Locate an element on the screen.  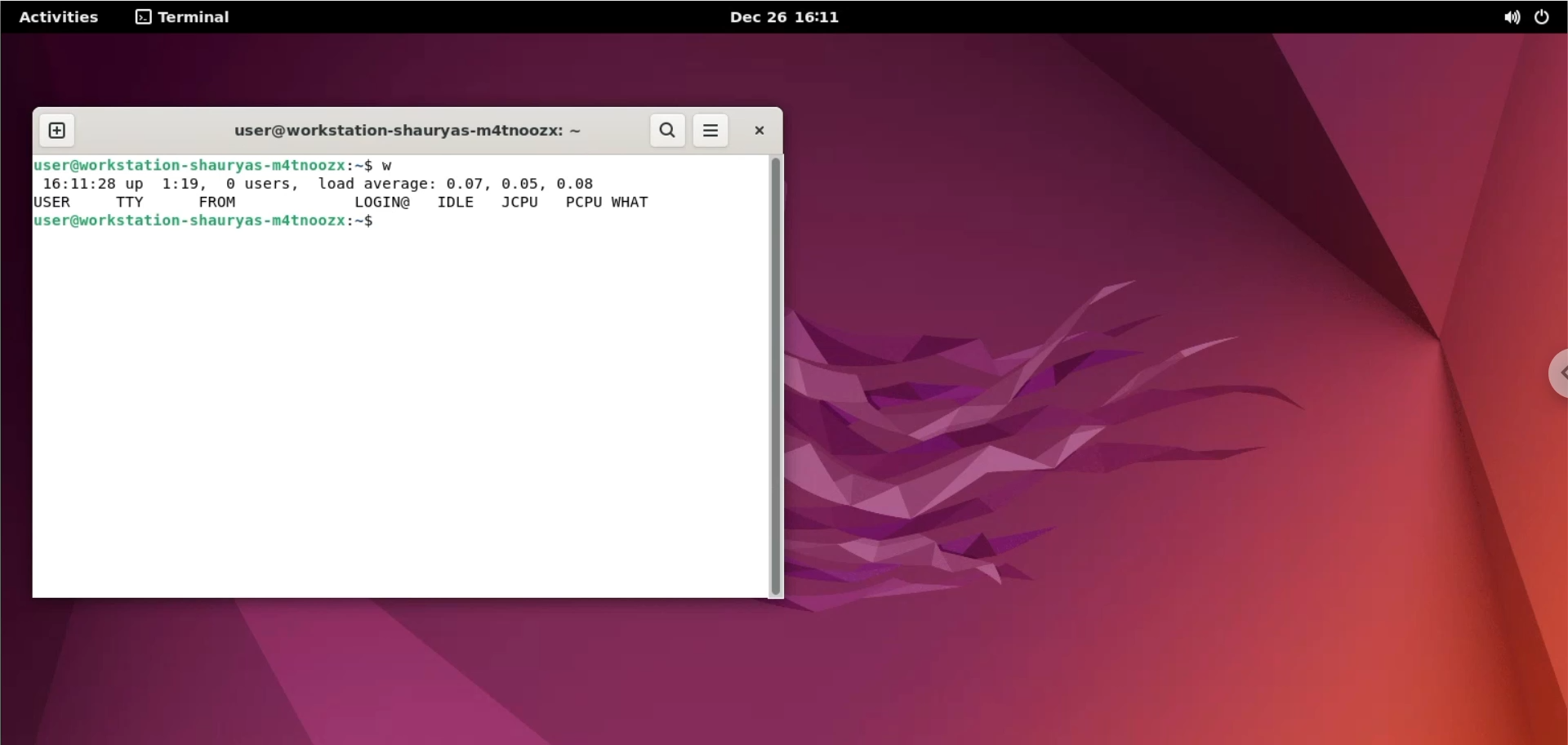
logged in users information like uptime and number of users etc is located at coordinates (354, 194).